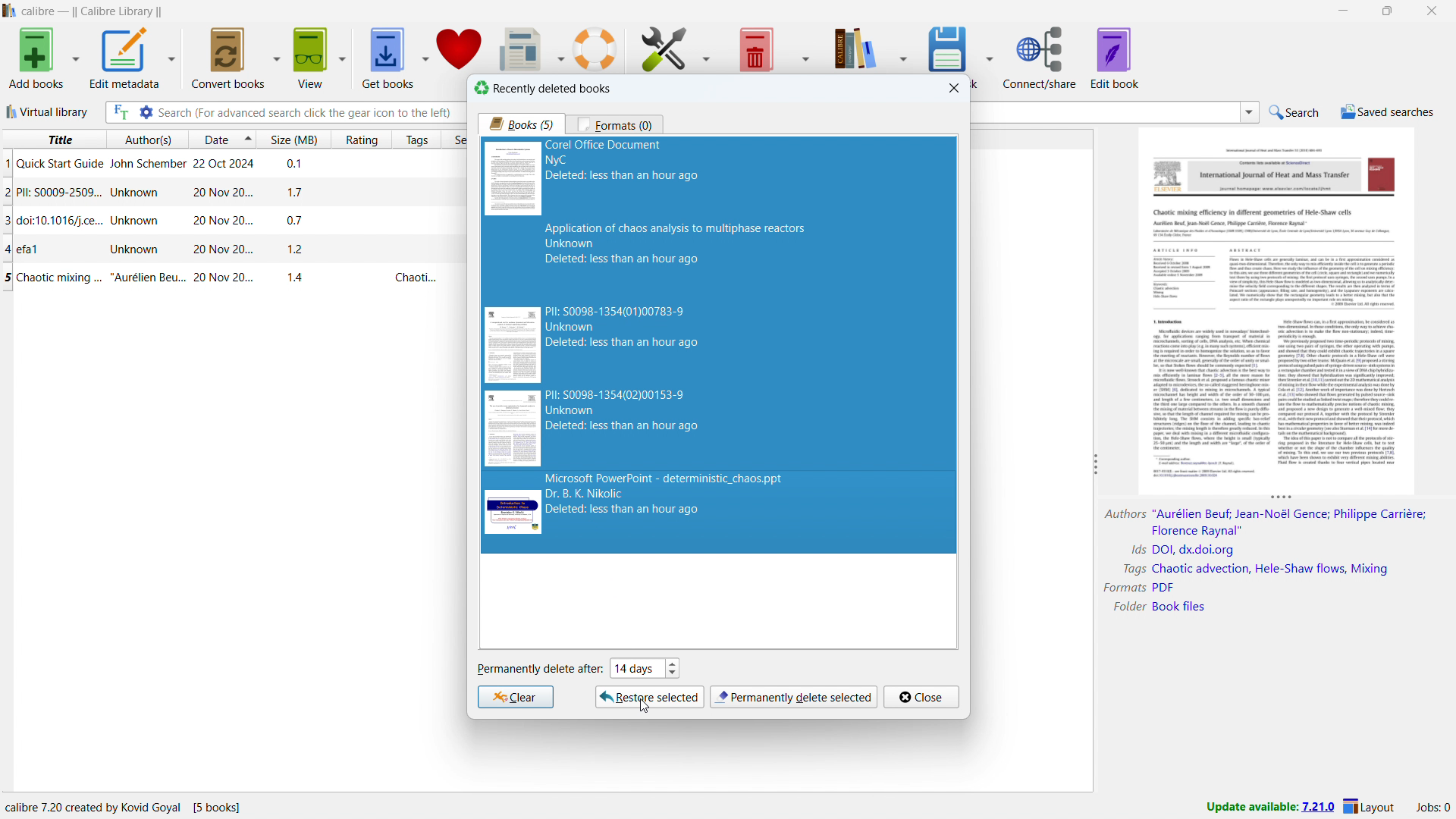 This screenshot has width=1456, height=819. Describe the element at coordinates (907, 47) in the screenshot. I see `calibre library options` at that location.